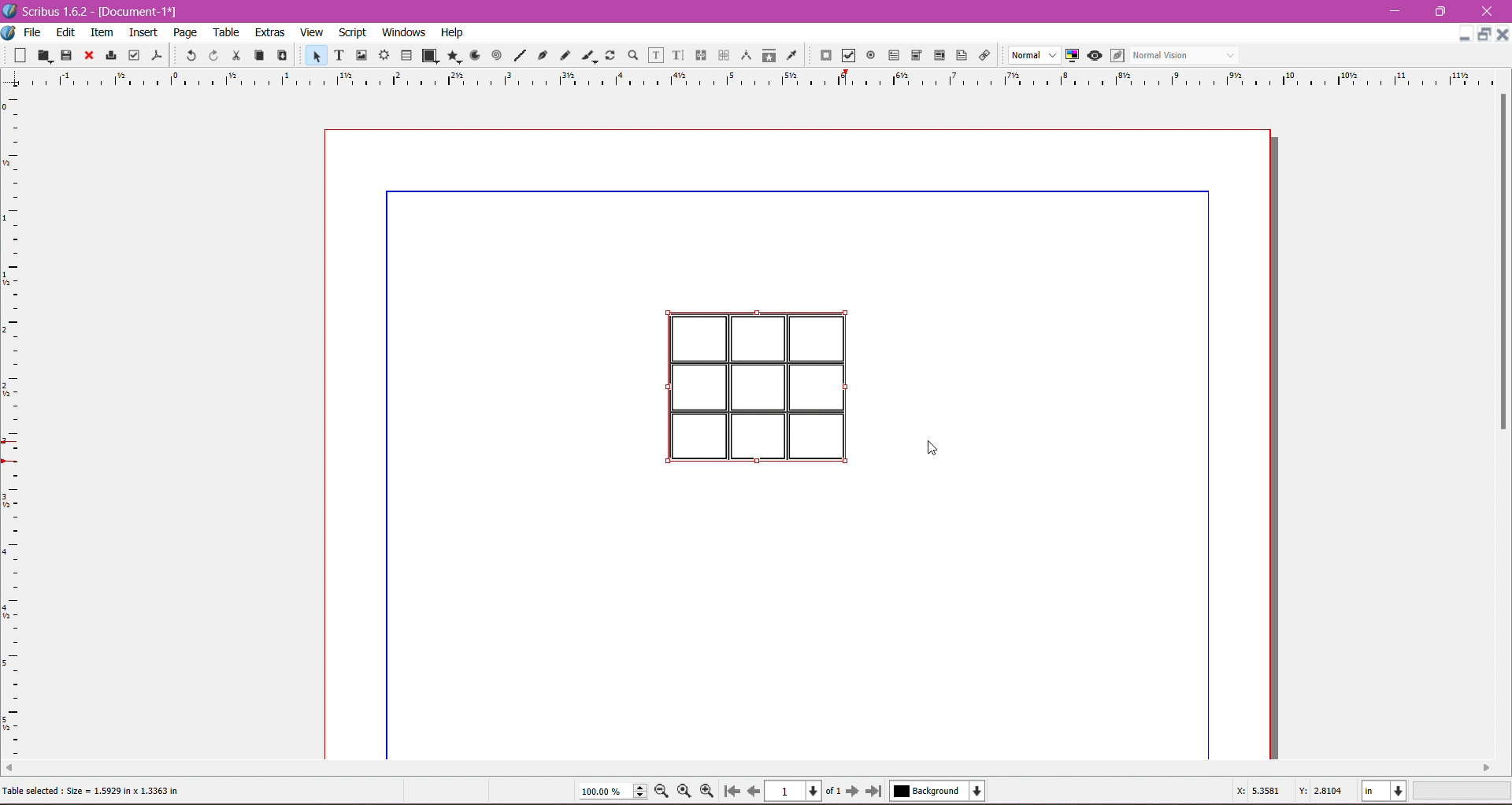 Image resolution: width=1512 pixels, height=805 pixels. Describe the element at coordinates (270, 32) in the screenshot. I see `Extras` at that location.